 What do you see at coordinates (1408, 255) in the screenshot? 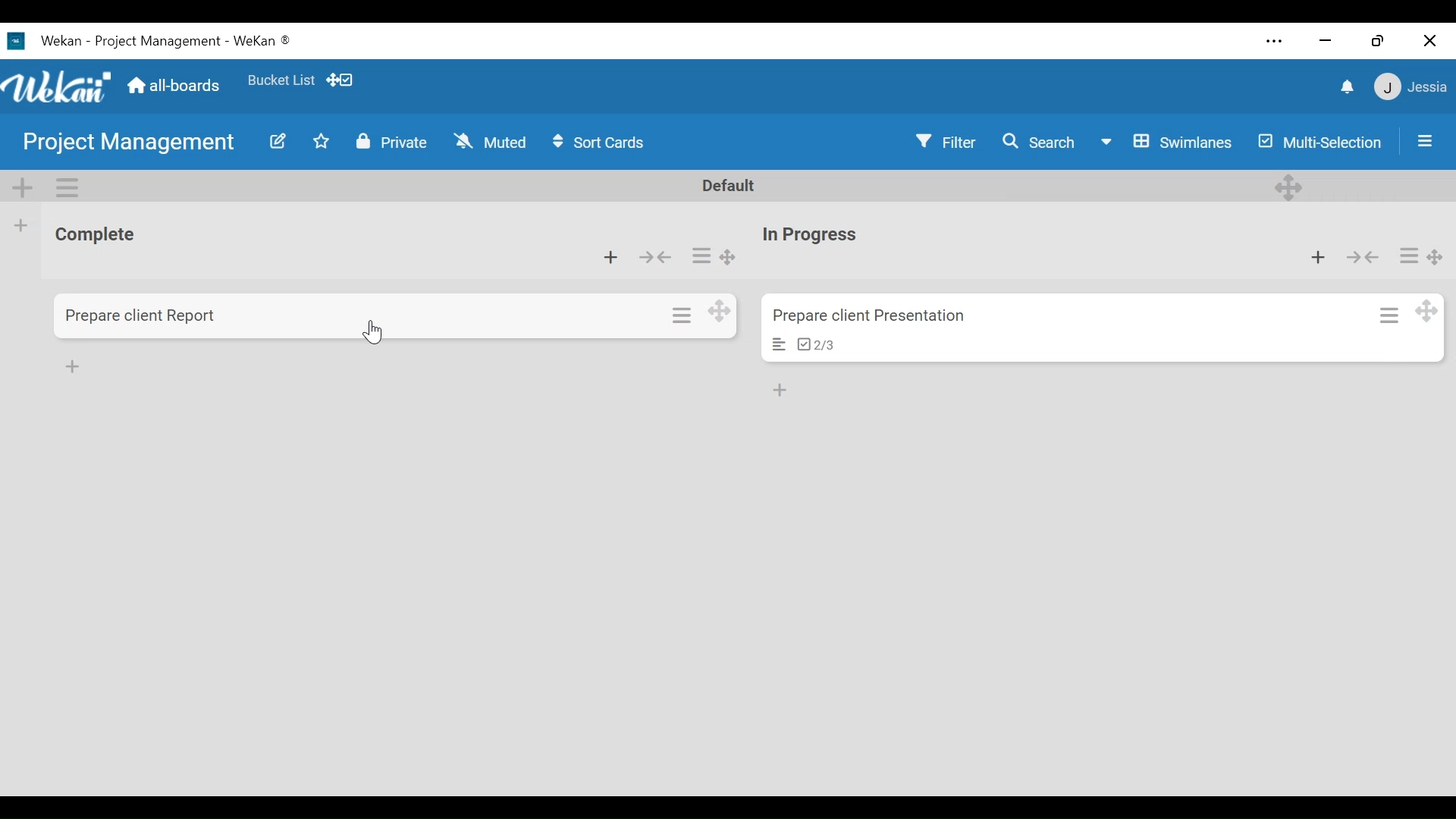
I see `Card actions` at bounding box center [1408, 255].